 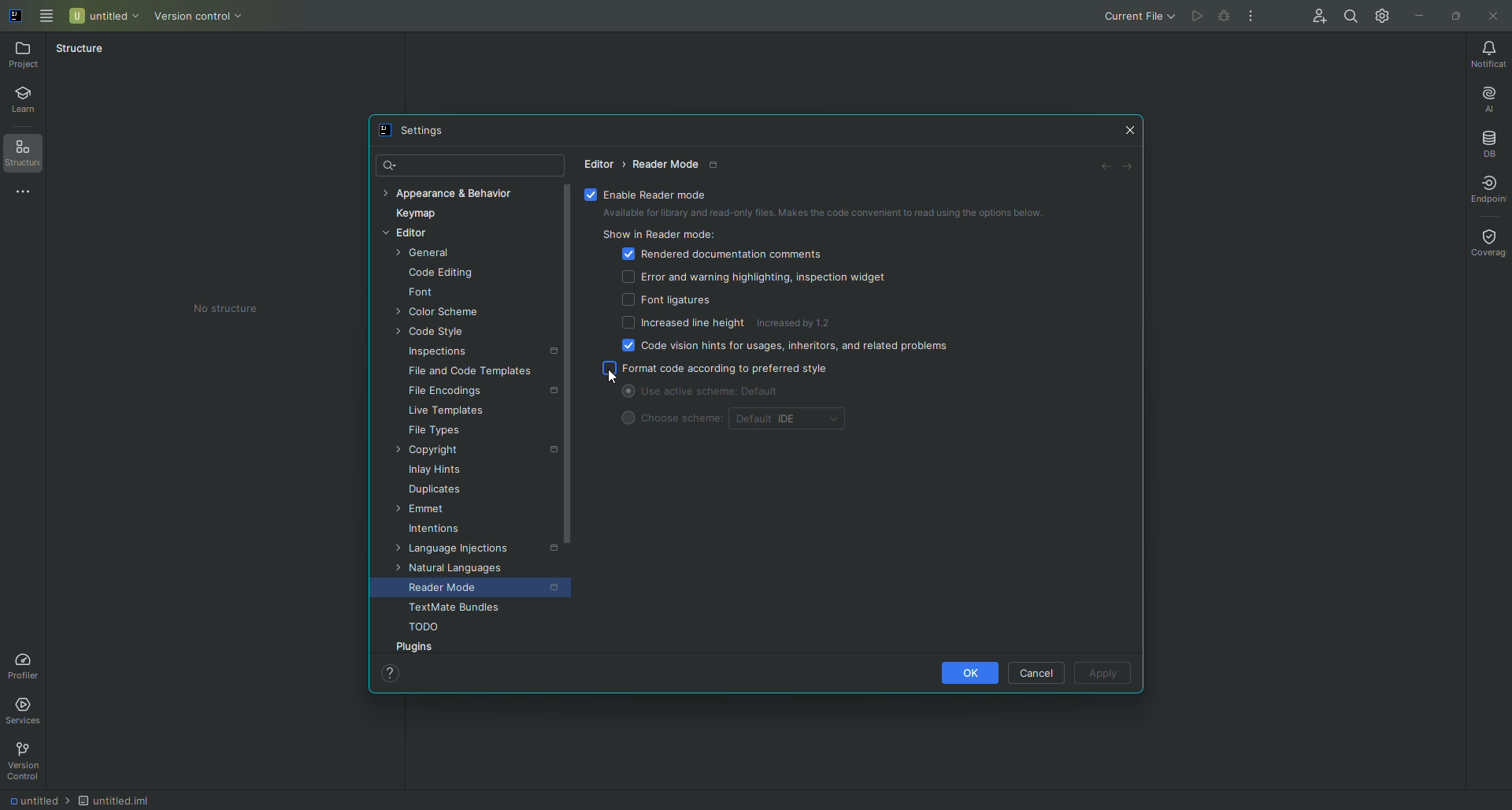 I want to click on Cannot run file, so click(x=1196, y=16).